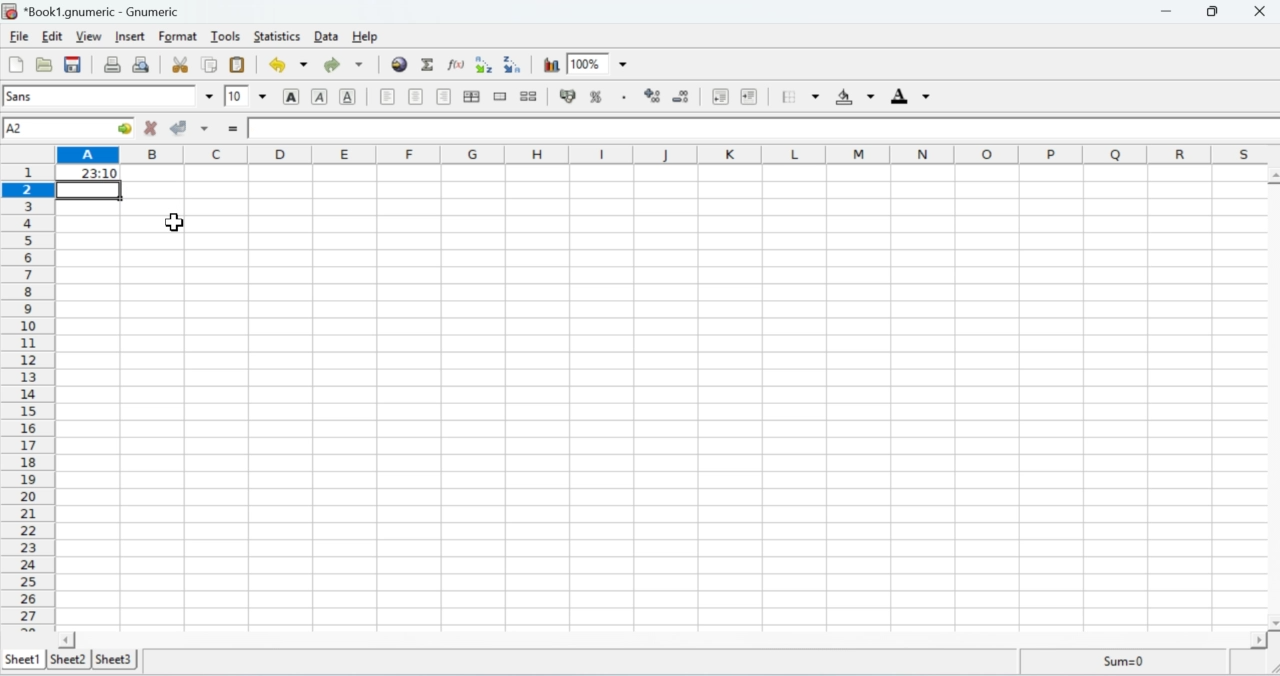 Image resolution: width=1280 pixels, height=676 pixels. What do you see at coordinates (43, 65) in the screenshot?
I see `Open a file` at bounding box center [43, 65].